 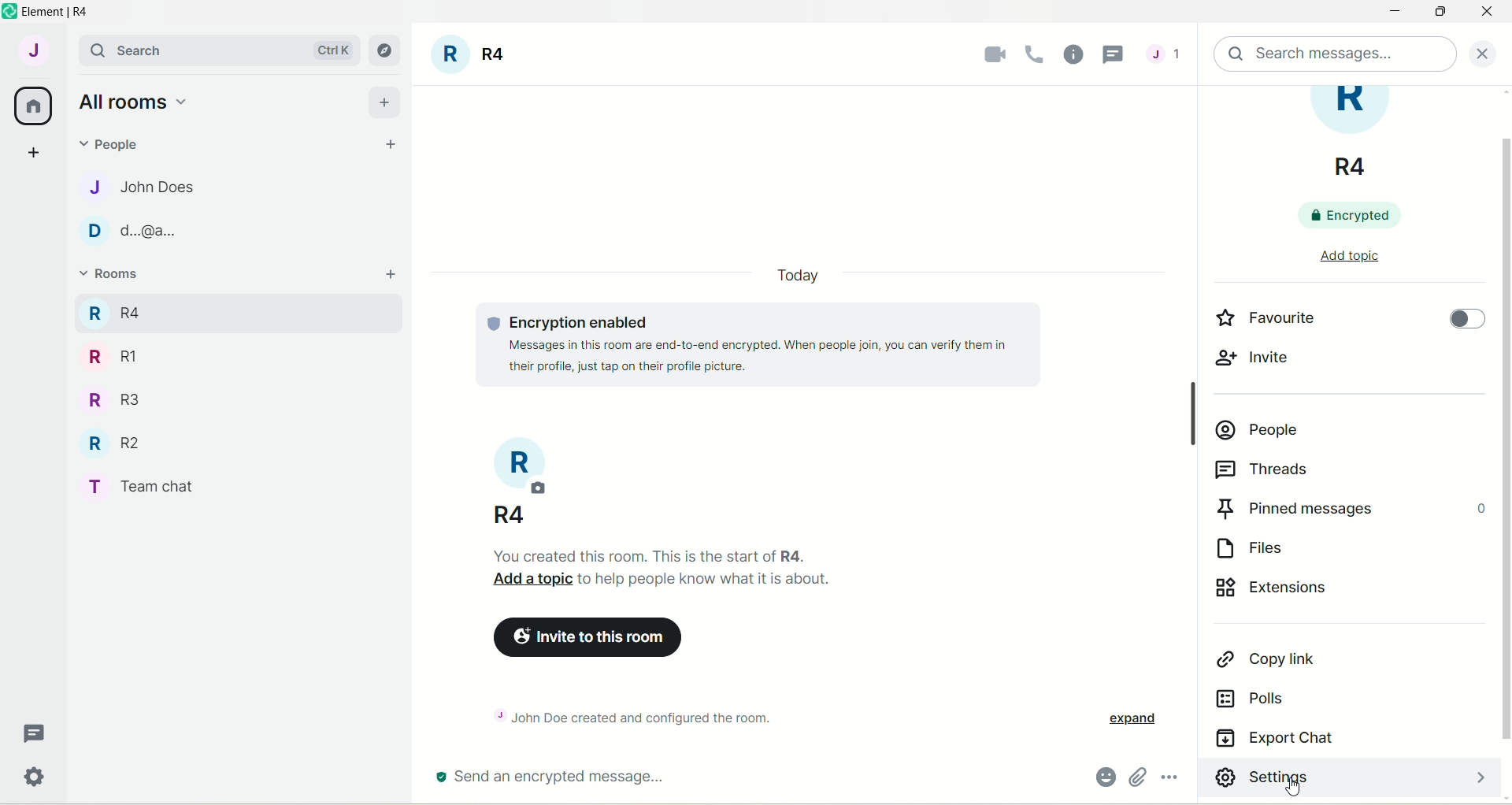 What do you see at coordinates (1294, 592) in the screenshot?
I see `extensions` at bounding box center [1294, 592].